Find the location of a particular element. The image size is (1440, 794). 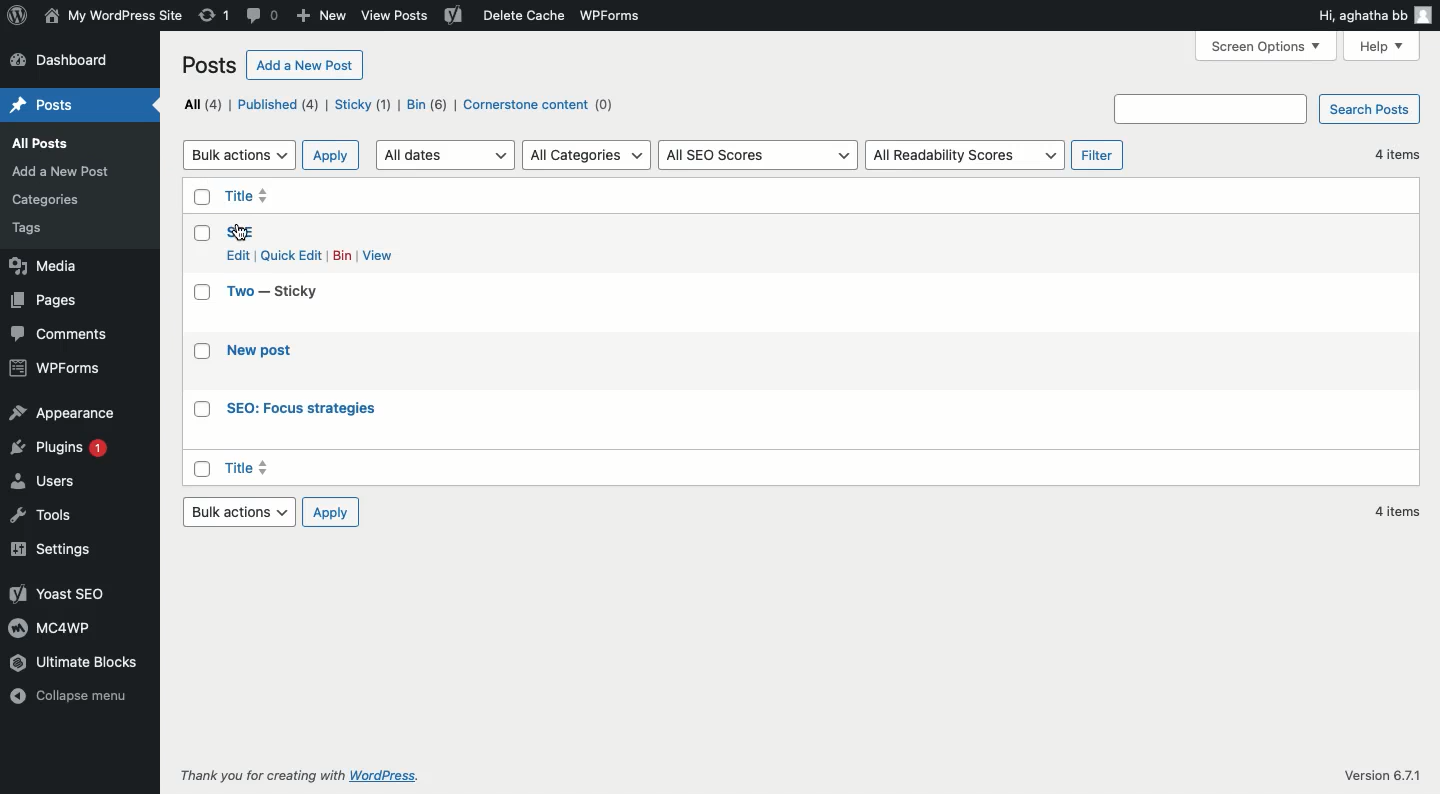

All categories is located at coordinates (588, 156).